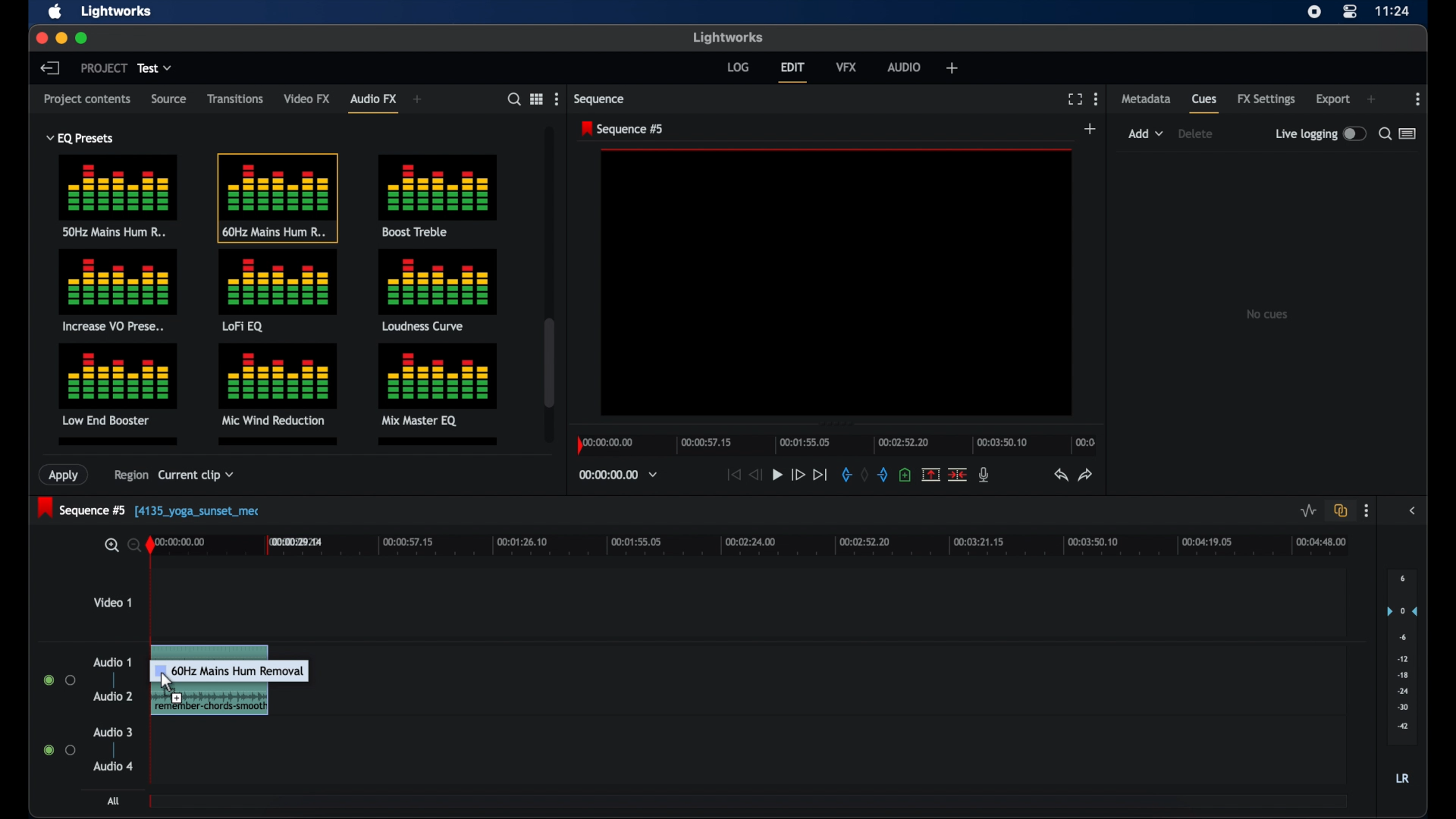  Describe the element at coordinates (59, 679) in the screenshot. I see `radio buttons` at that location.